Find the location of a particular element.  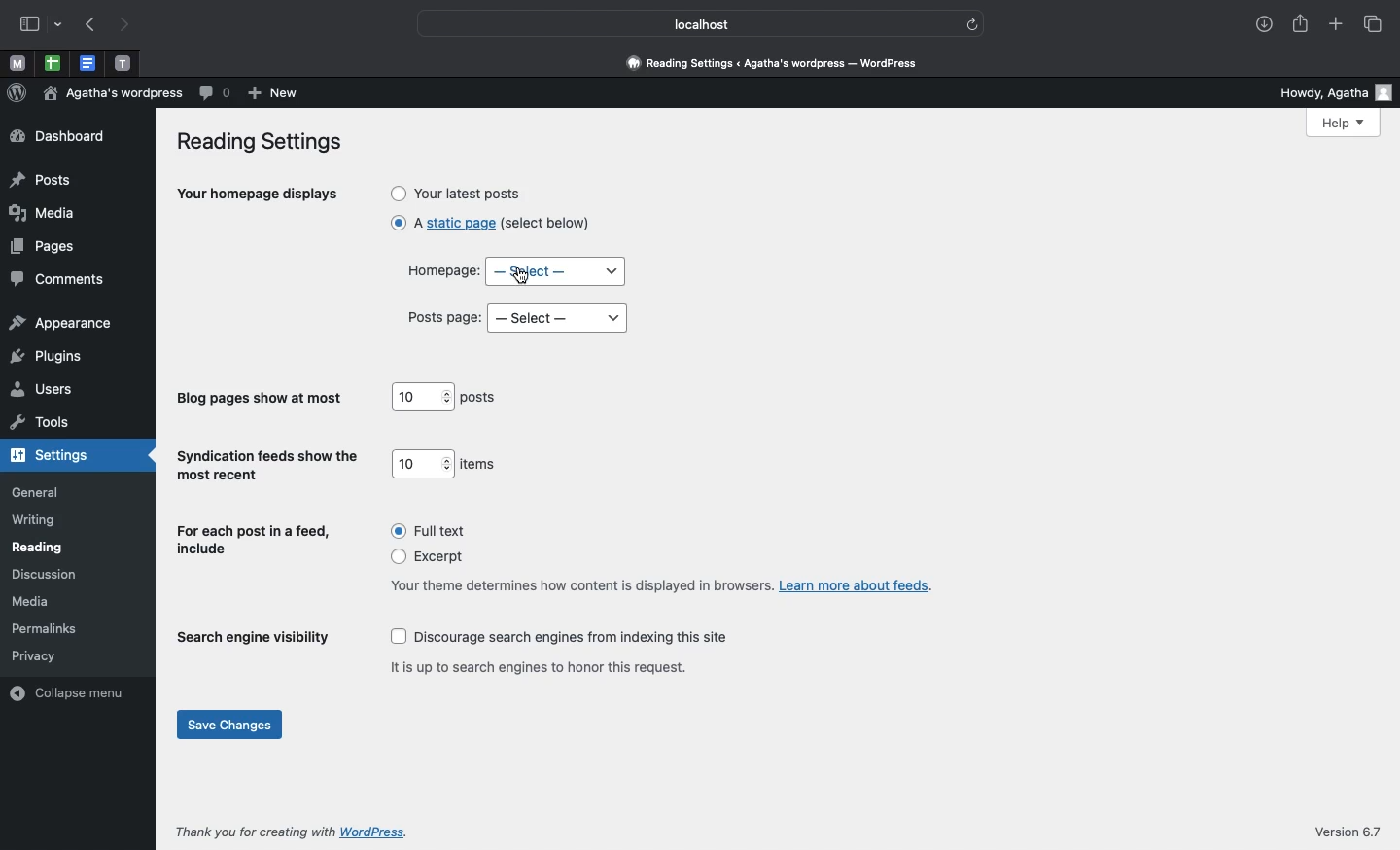

Localhost is located at coordinates (687, 24).